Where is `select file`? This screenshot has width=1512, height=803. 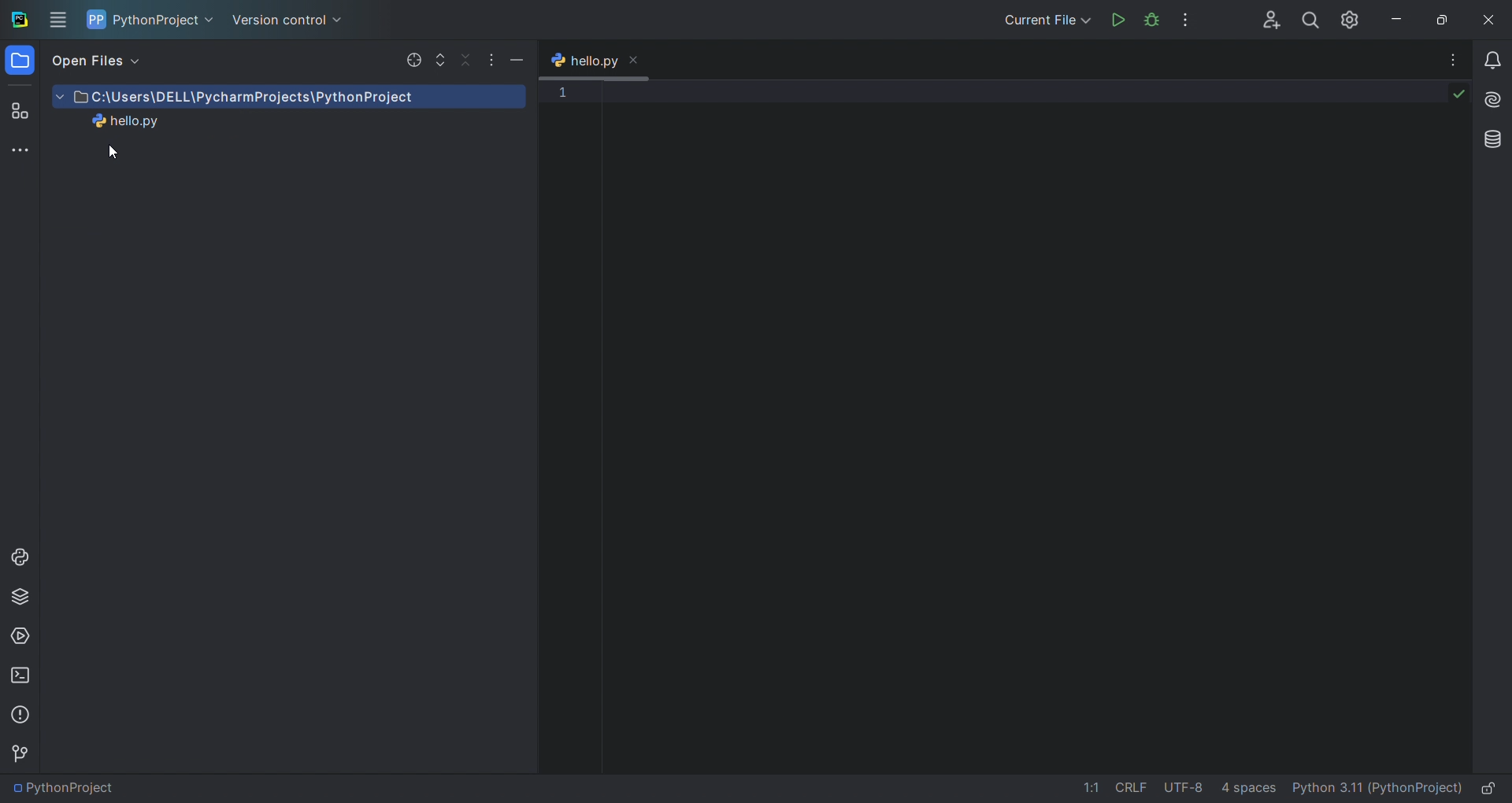 select file is located at coordinates (412, 59).